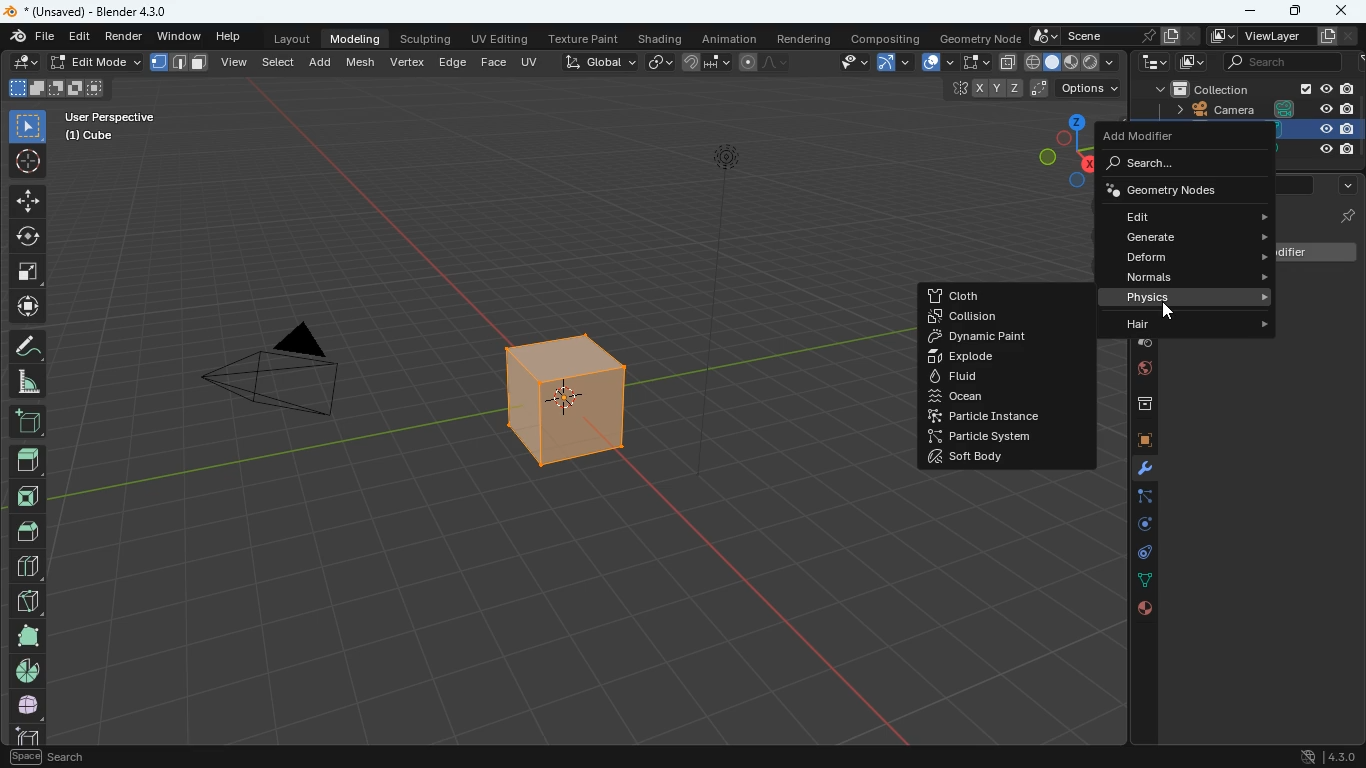 This screenshot has width=1366, height=768. Describe the element at coordinates (1072, 61) in the screenshot. I see `fill` at that location.